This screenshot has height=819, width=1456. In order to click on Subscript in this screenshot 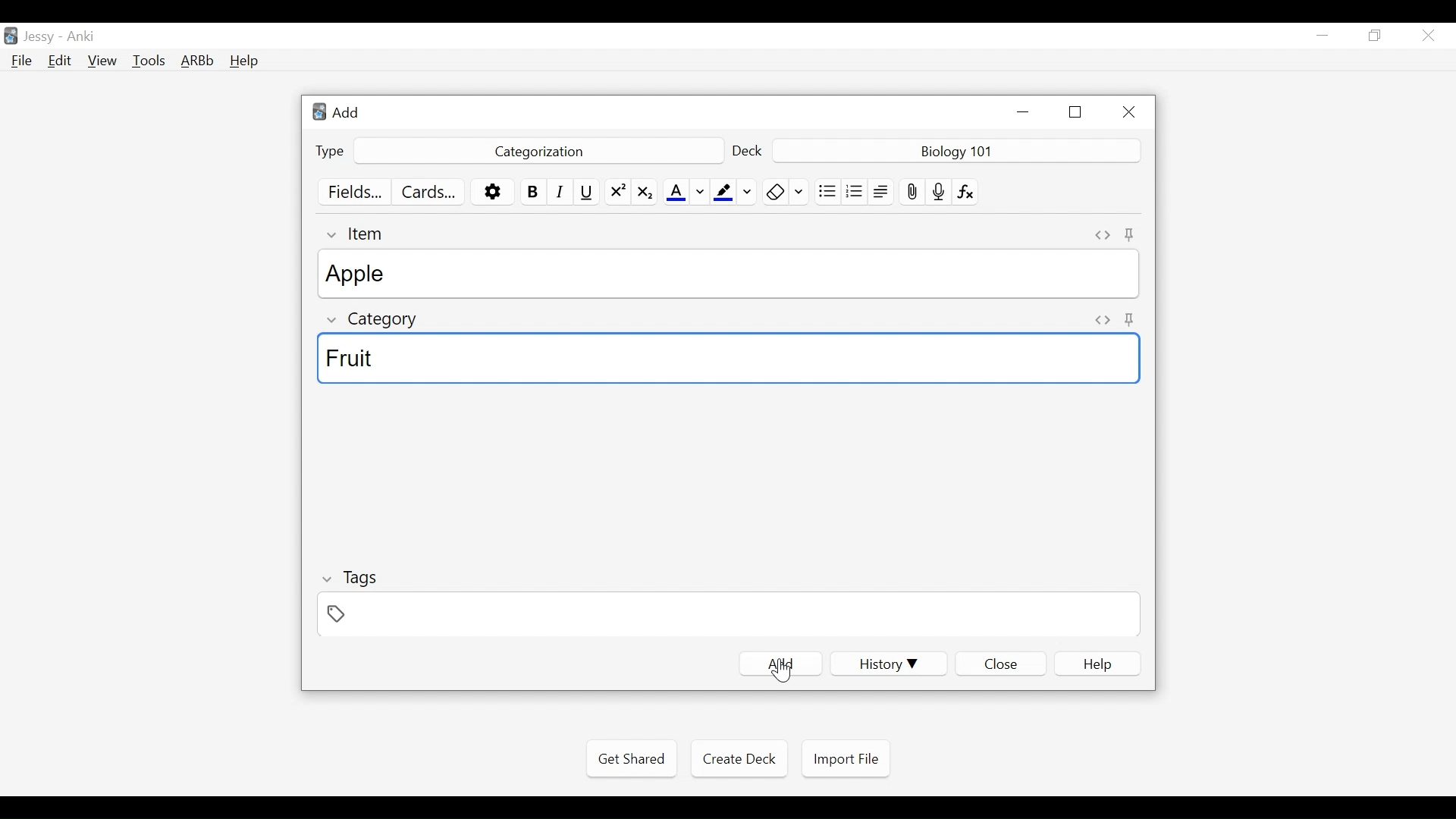, I will do `click(645, 192)`.